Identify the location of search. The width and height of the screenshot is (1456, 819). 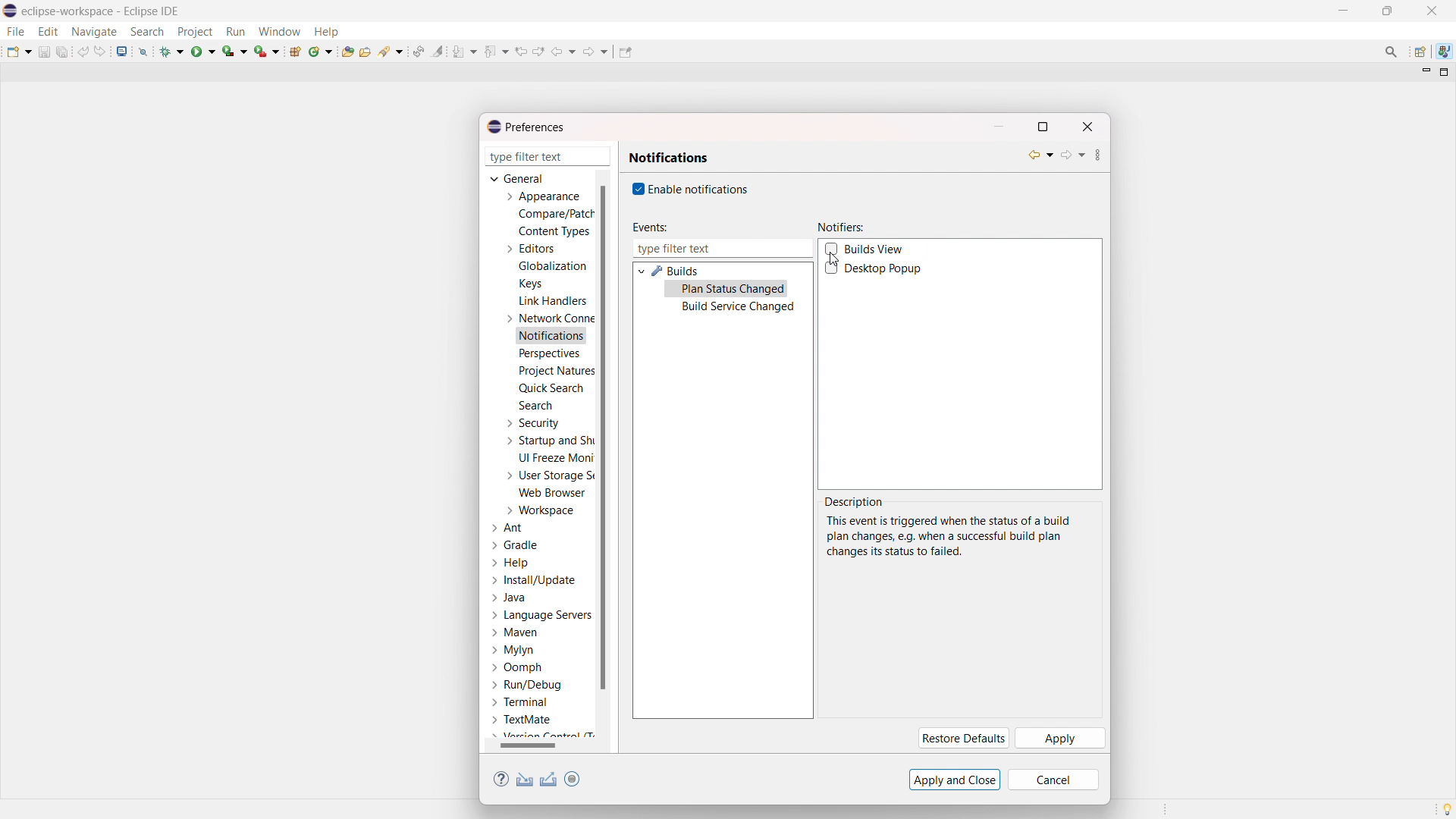
(147, 32).